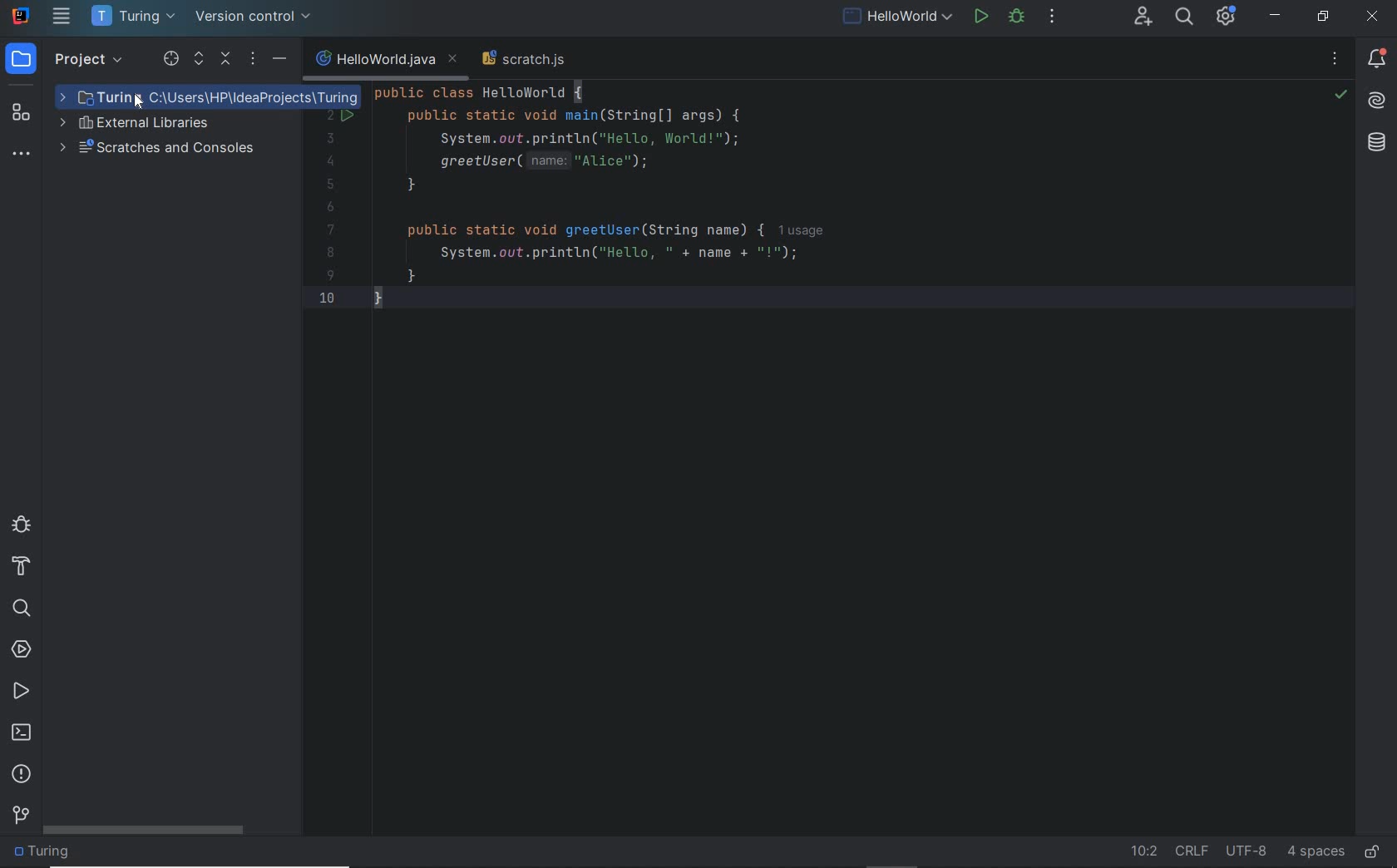 Image resolution: width=1397 pixels, height=868 pixels. Describe the element at coordinates (22, 775) in the screenshot. I see `problems` at that location.